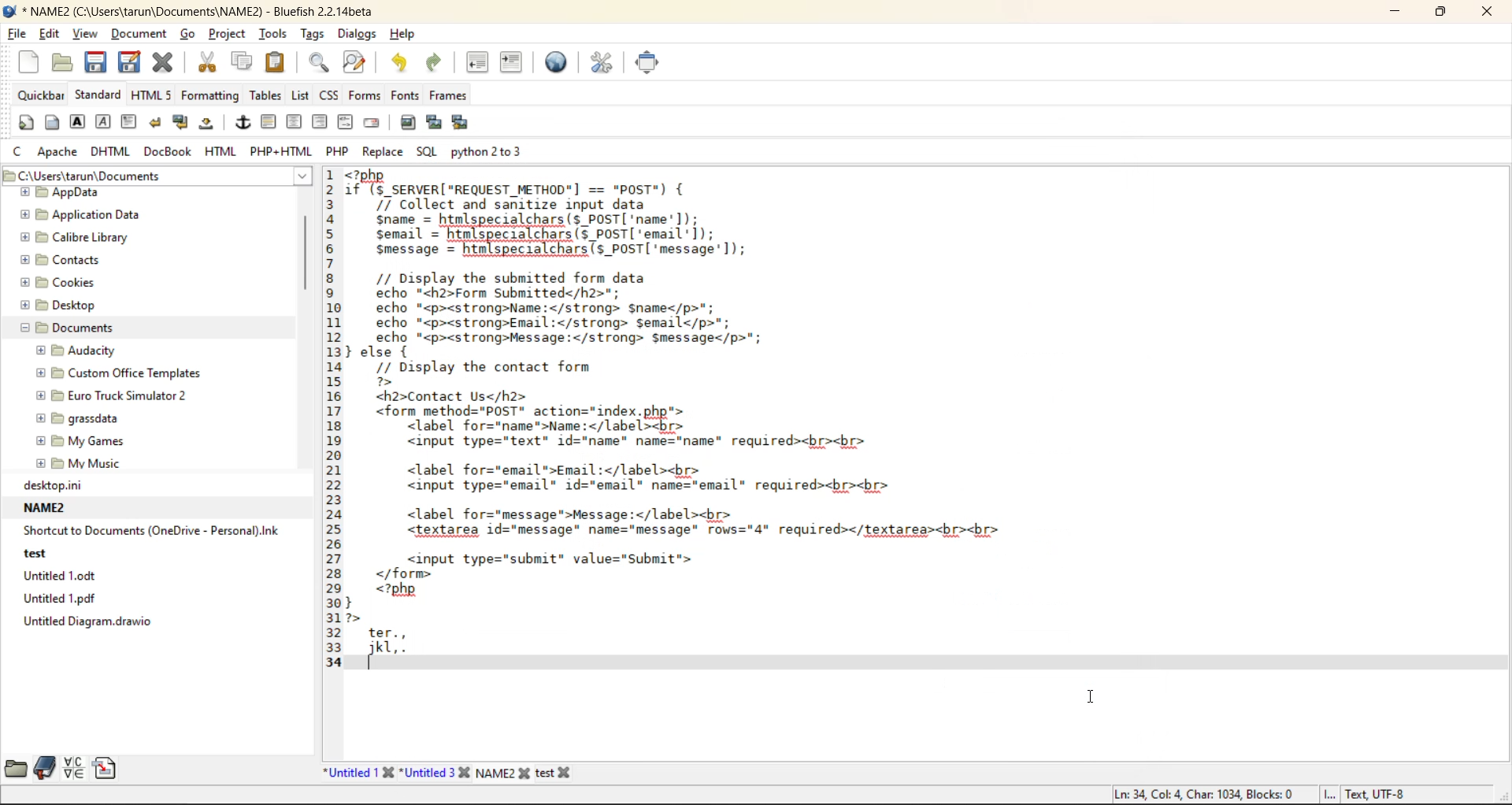 Image resolution: width=1512 pixels, height=805 pixels. I want to click on vertical scroll bar, so click(307, 263).